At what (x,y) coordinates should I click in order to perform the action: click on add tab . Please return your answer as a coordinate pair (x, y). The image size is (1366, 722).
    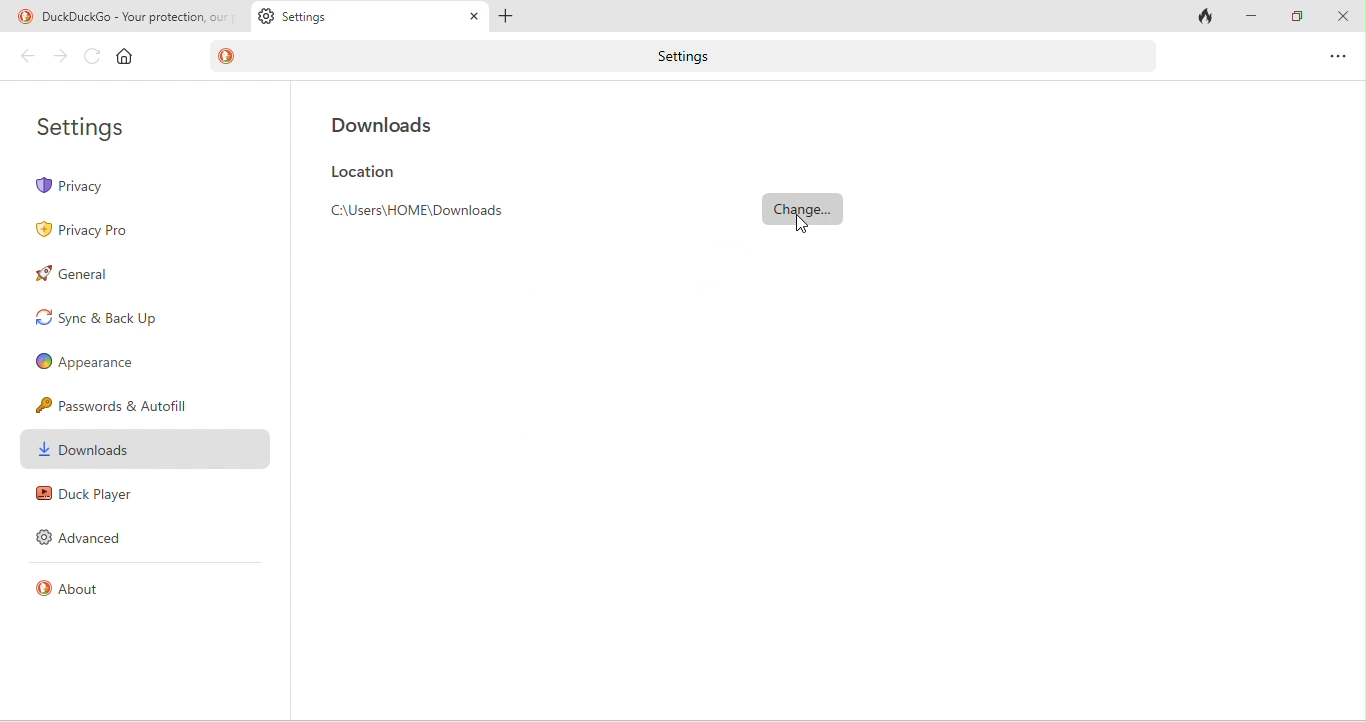
    Looking at the image, I should click on (513, 14).